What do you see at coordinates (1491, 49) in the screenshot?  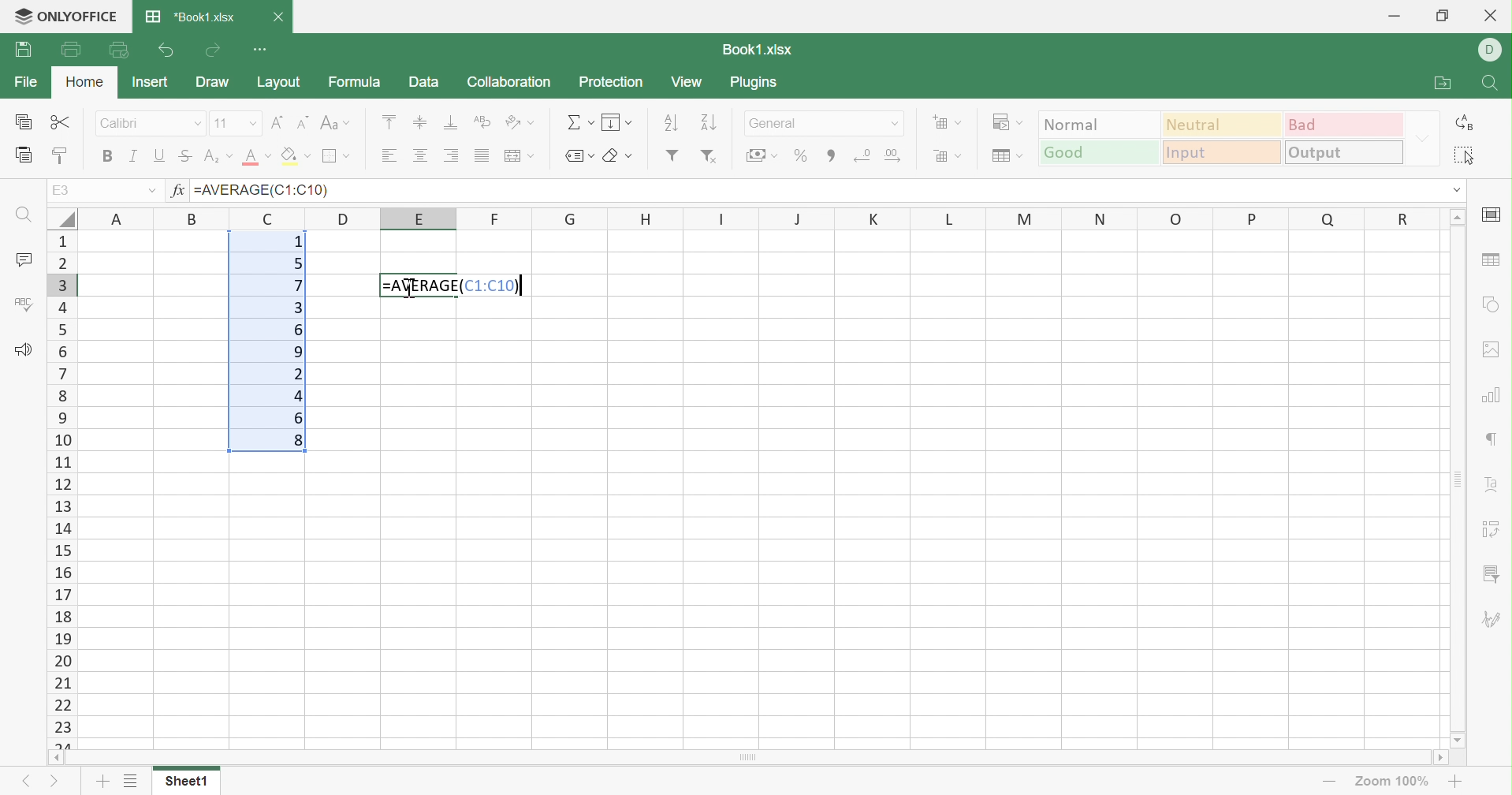 I see `DELL` at bounding box center [1491, 49].